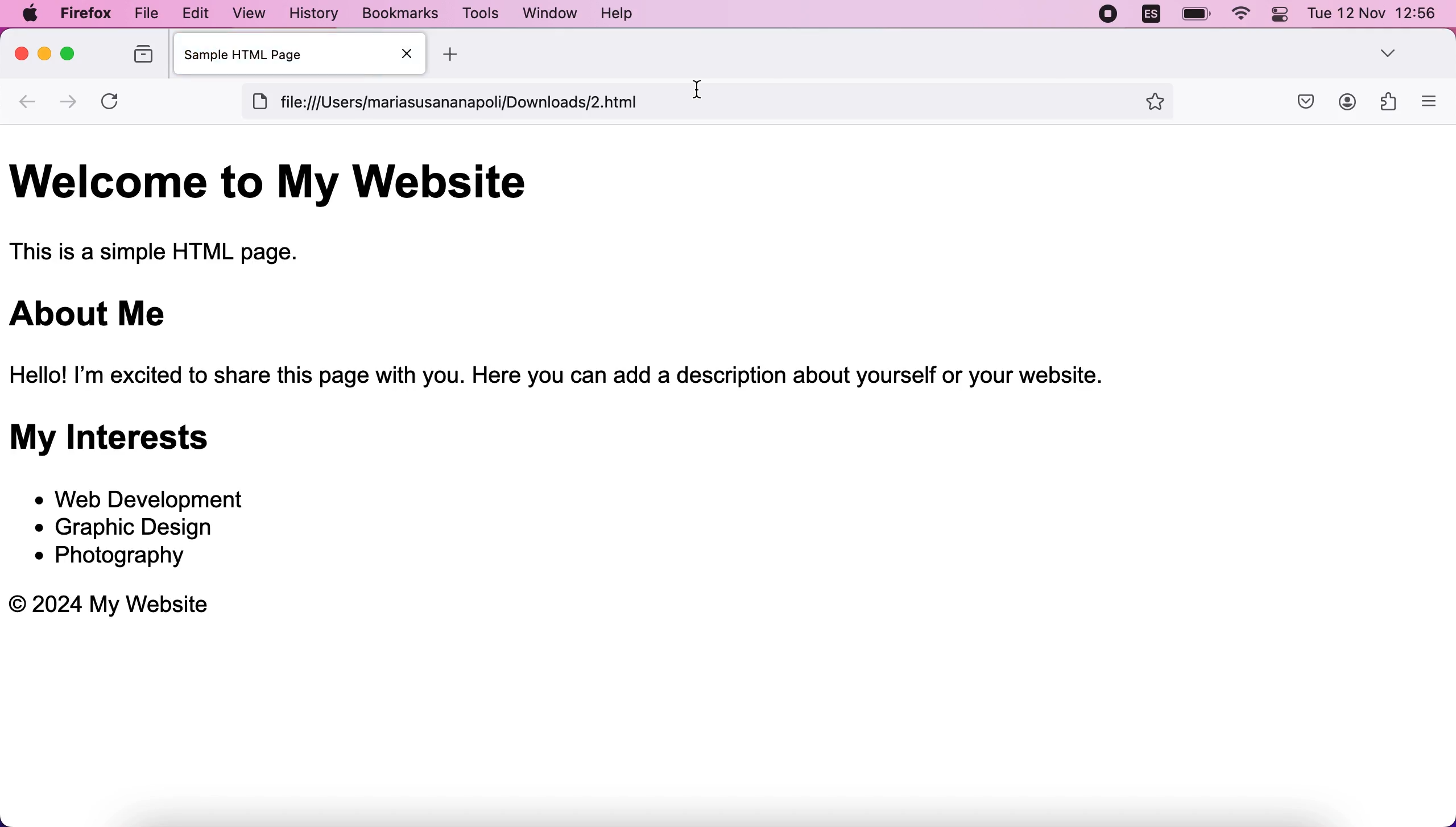 Image resolution: width=1456 pixels, height=827 pixels. I want to click on firefox, so click(86, 13).